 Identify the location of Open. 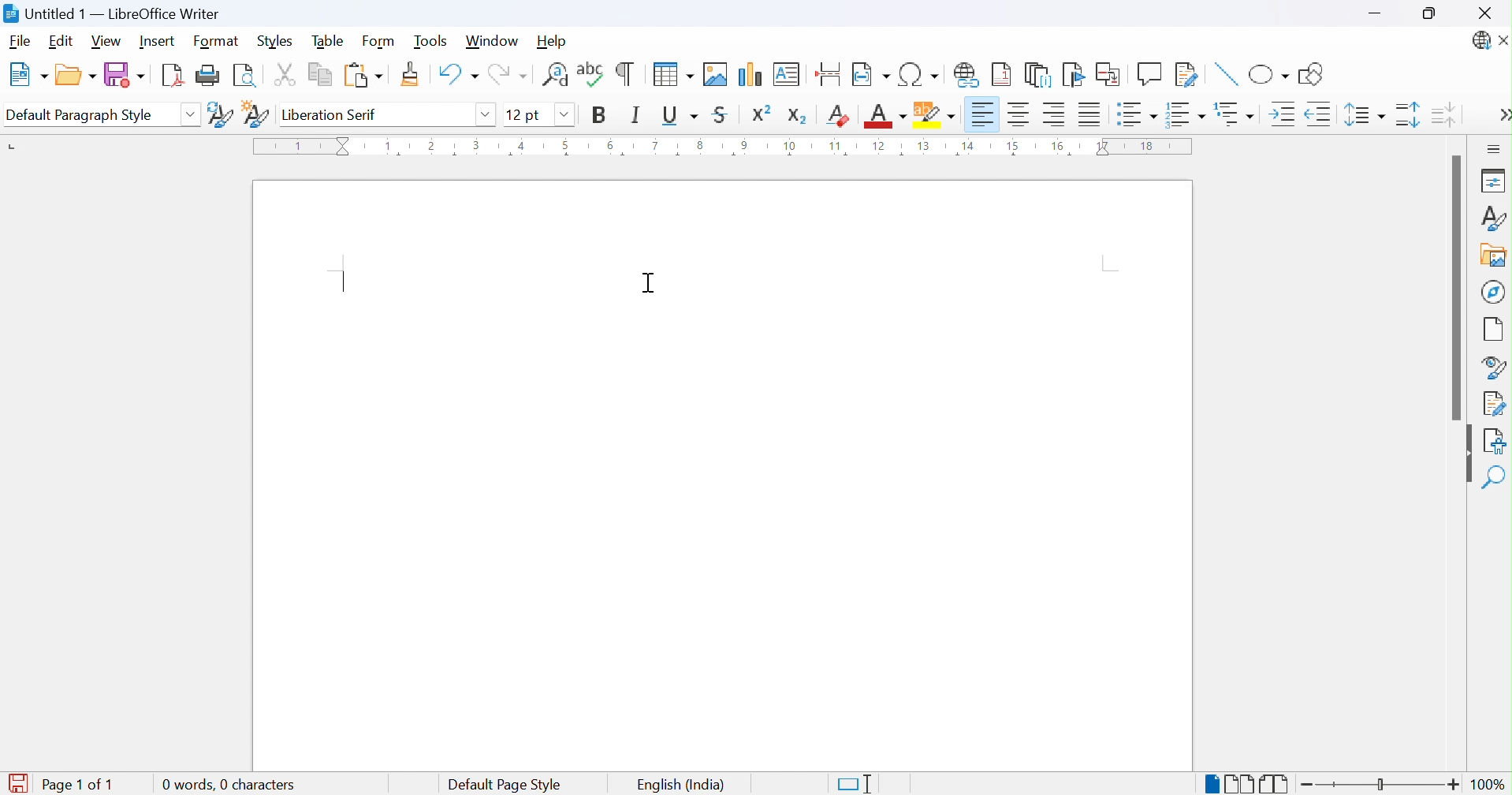
(76, 72).